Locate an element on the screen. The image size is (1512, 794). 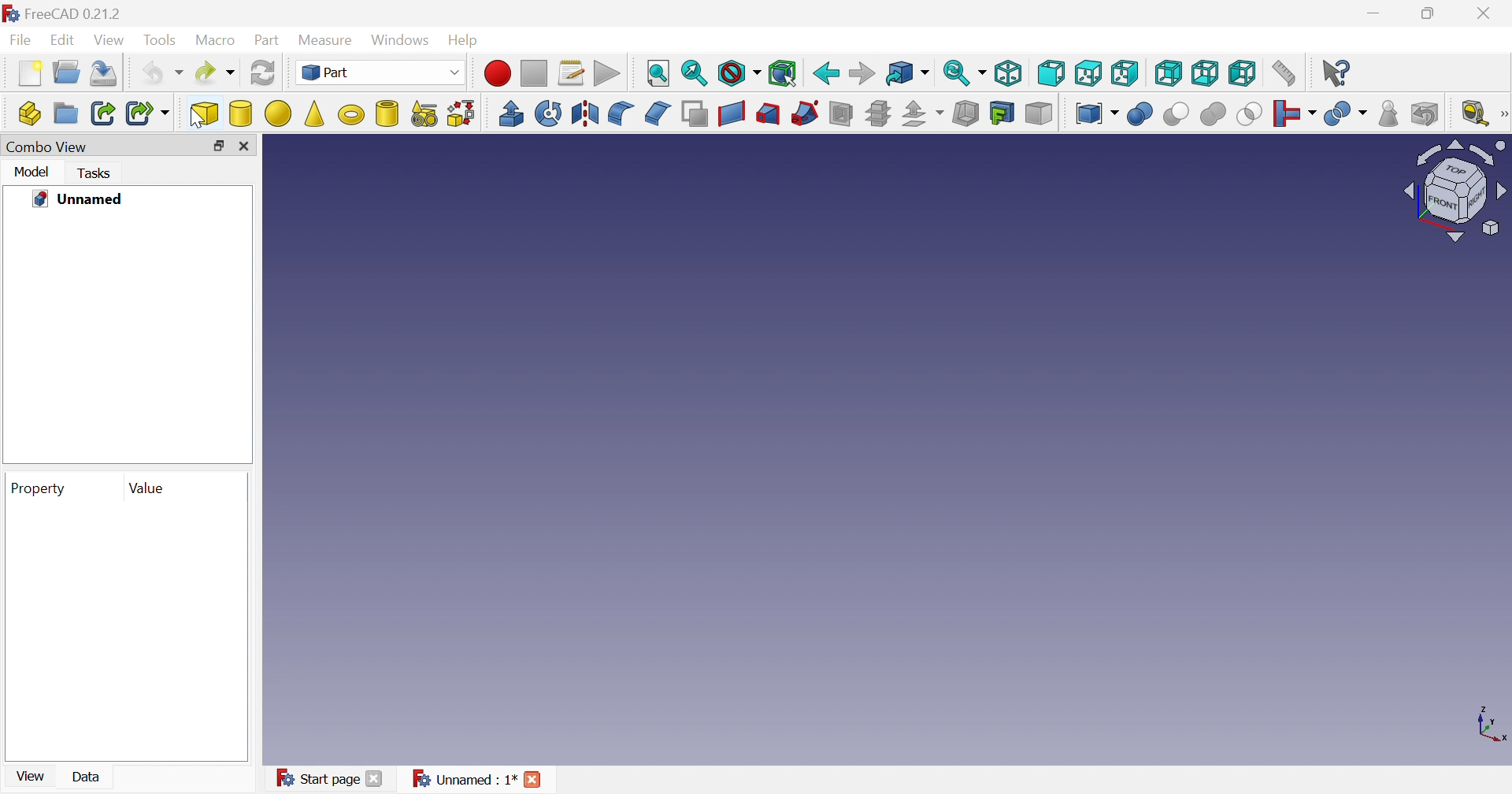
Minimize is located at coordinates (1377, 12).